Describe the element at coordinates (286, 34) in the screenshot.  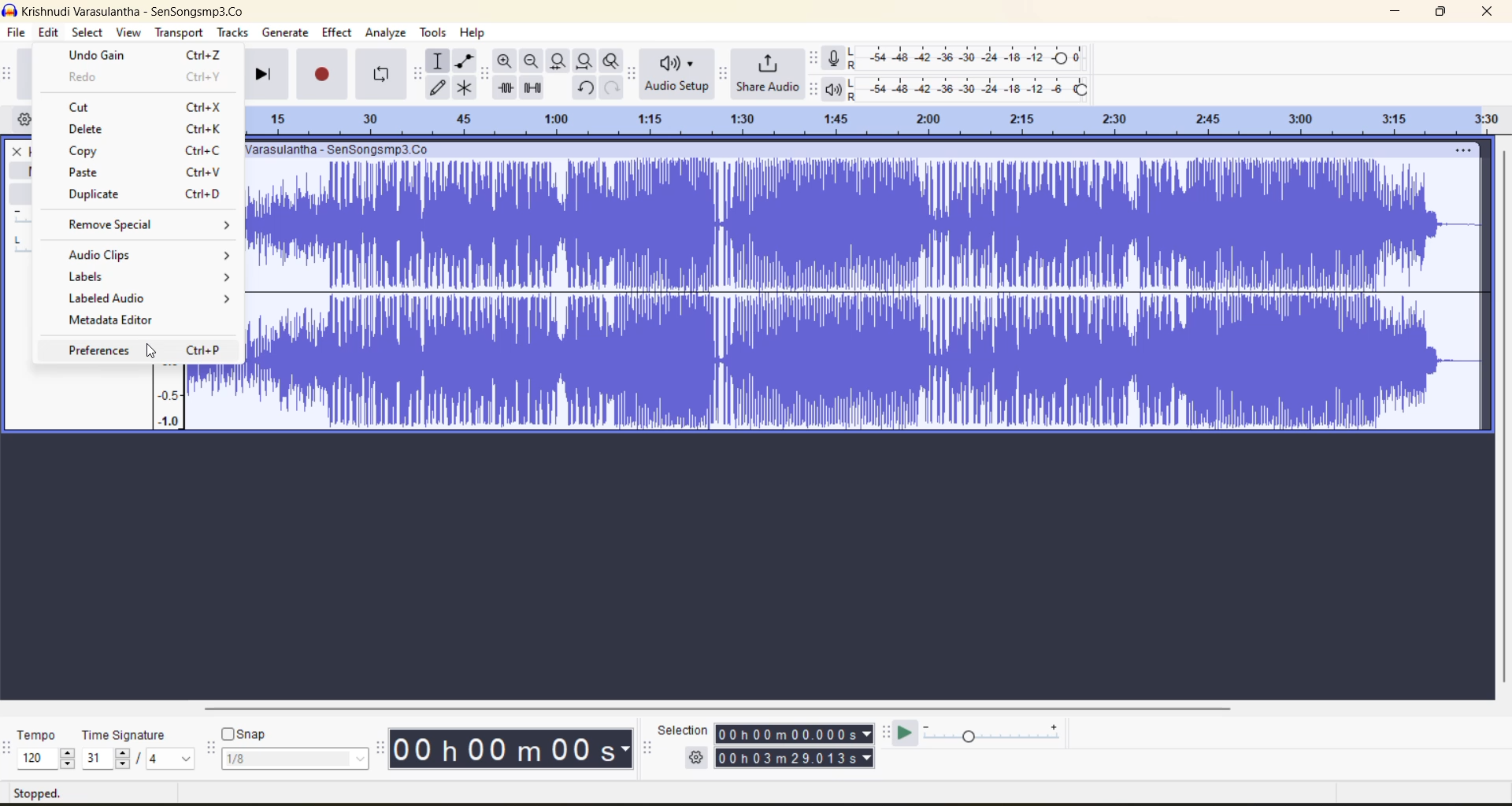
I see `generate` at that location.